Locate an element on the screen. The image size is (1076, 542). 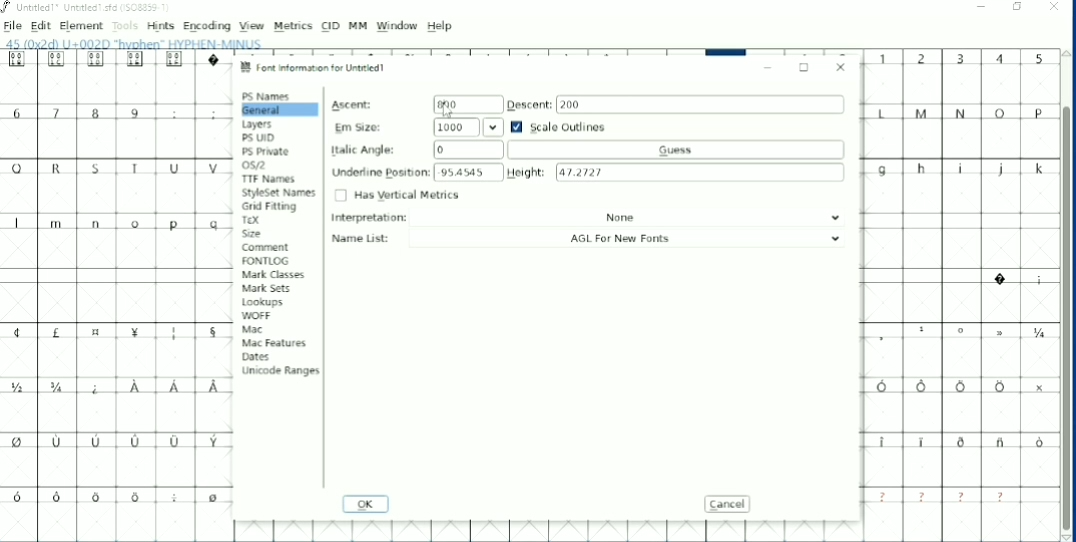
Dates is located at coordinates (255, 357).